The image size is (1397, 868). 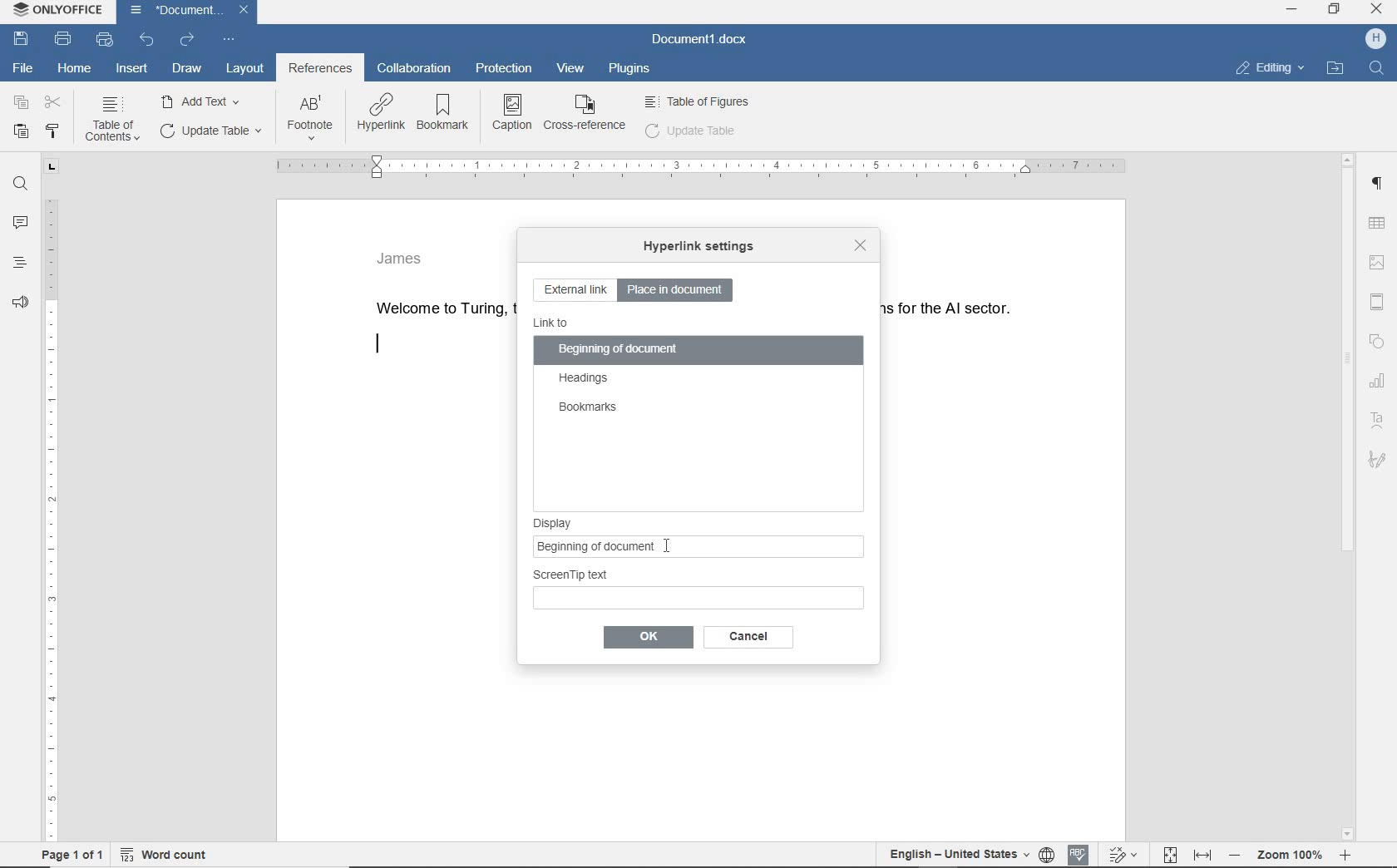 I want to click on Signature, so click(x=1379, y=461).